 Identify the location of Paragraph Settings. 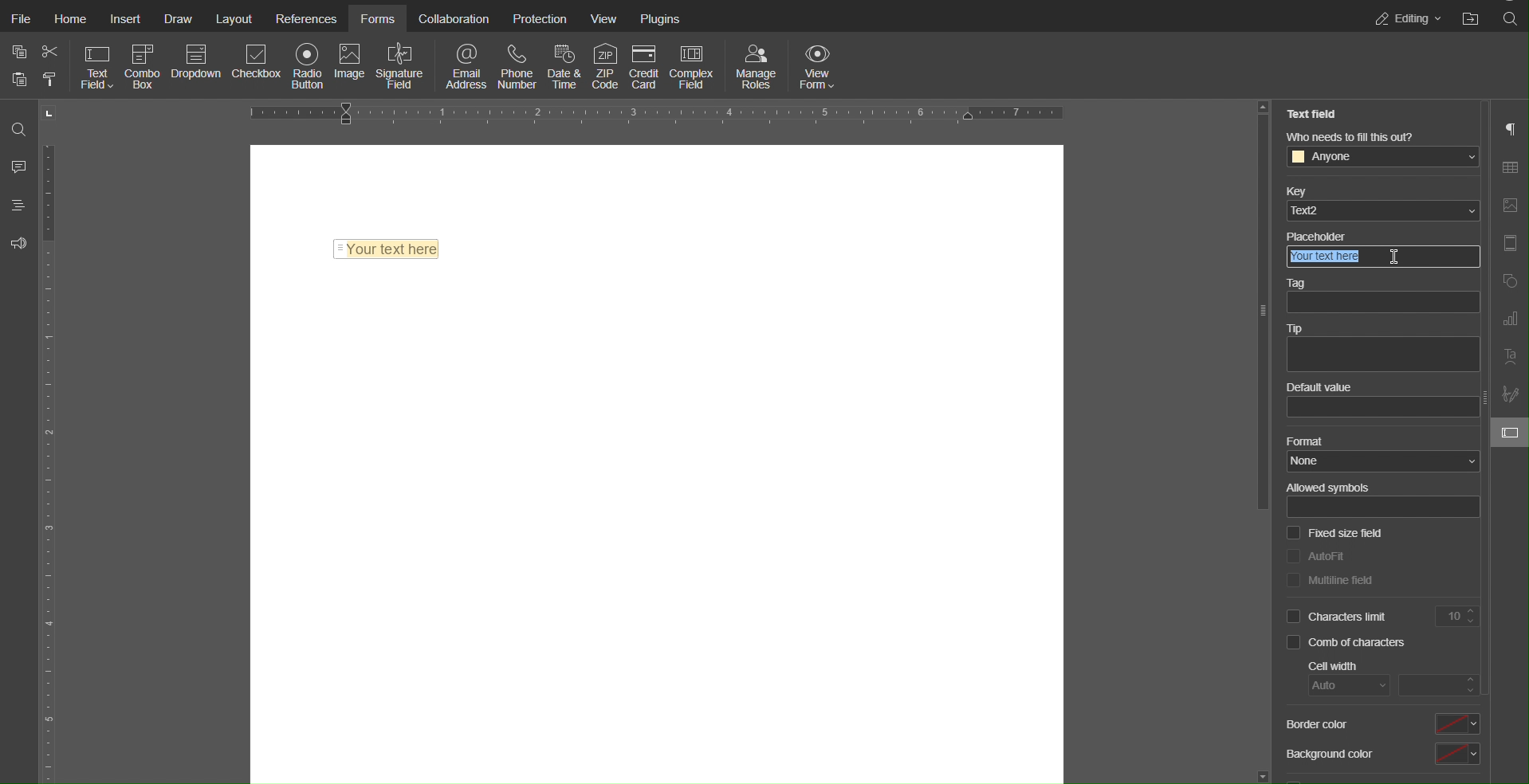
(1509, 129).